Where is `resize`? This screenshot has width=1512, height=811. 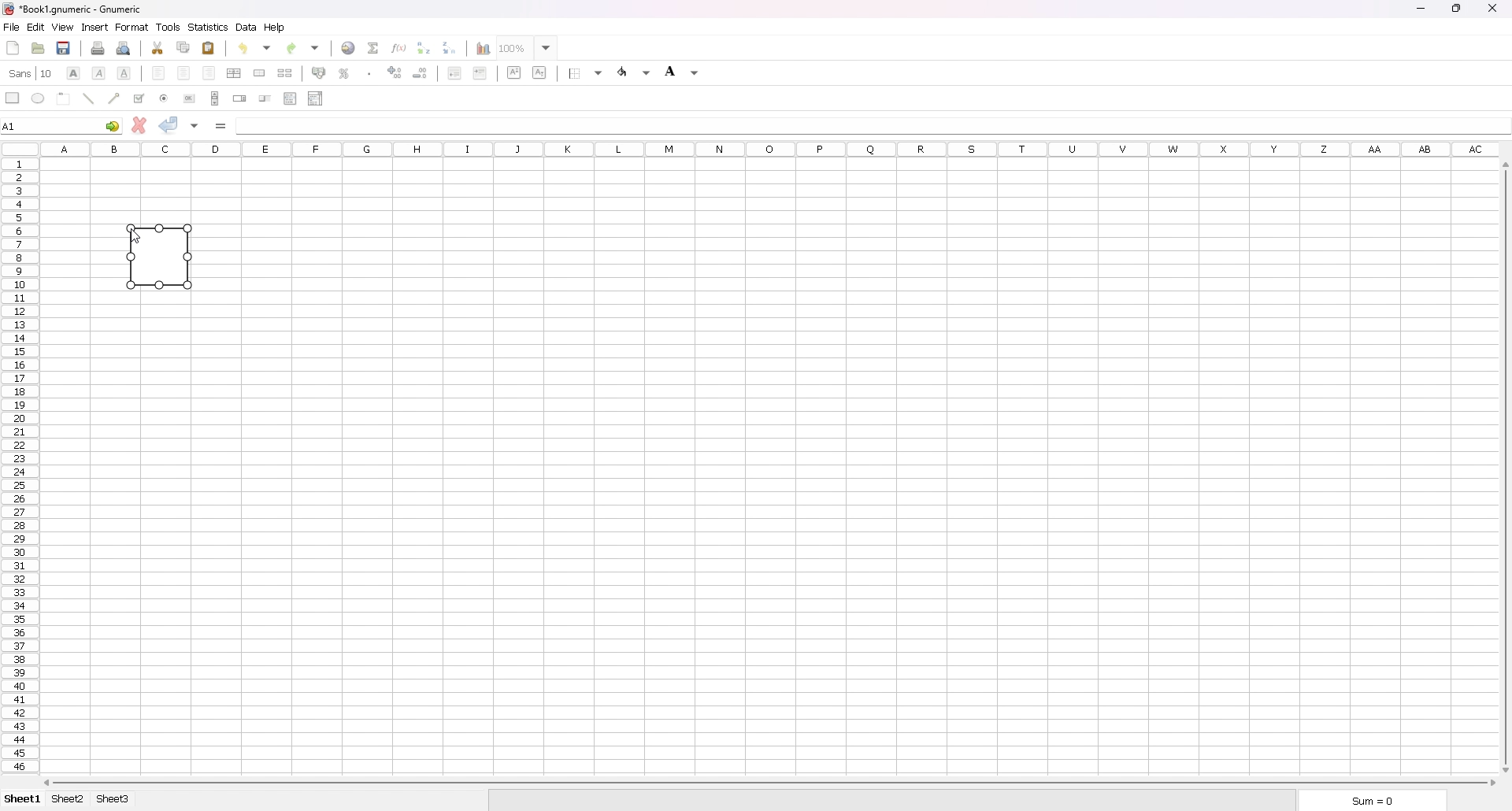 resize is located at coordinates (1455, 9).